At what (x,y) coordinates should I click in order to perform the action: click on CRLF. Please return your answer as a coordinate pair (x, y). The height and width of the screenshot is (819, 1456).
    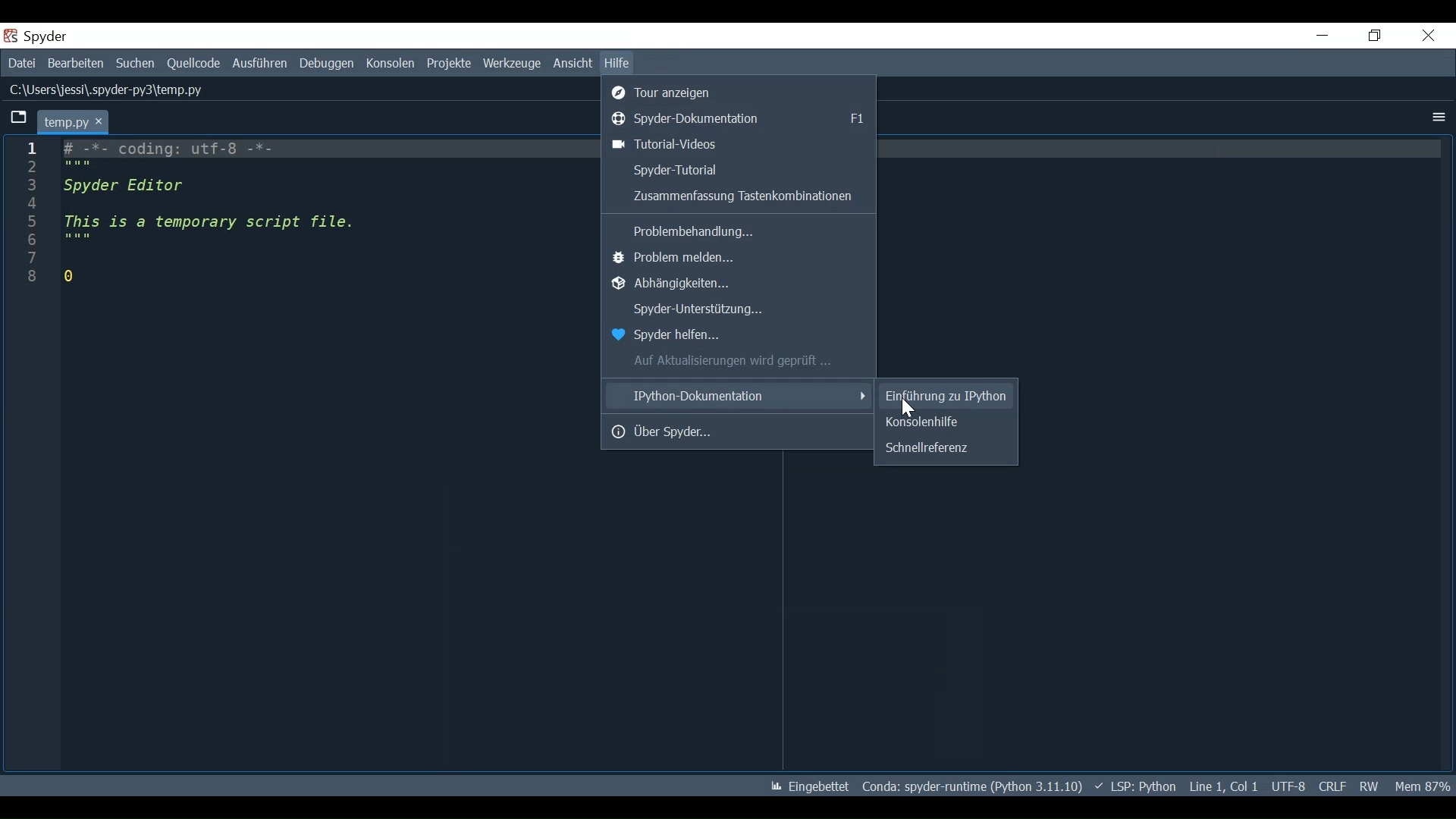
    Looking at the image, I should click on (1332, 786).